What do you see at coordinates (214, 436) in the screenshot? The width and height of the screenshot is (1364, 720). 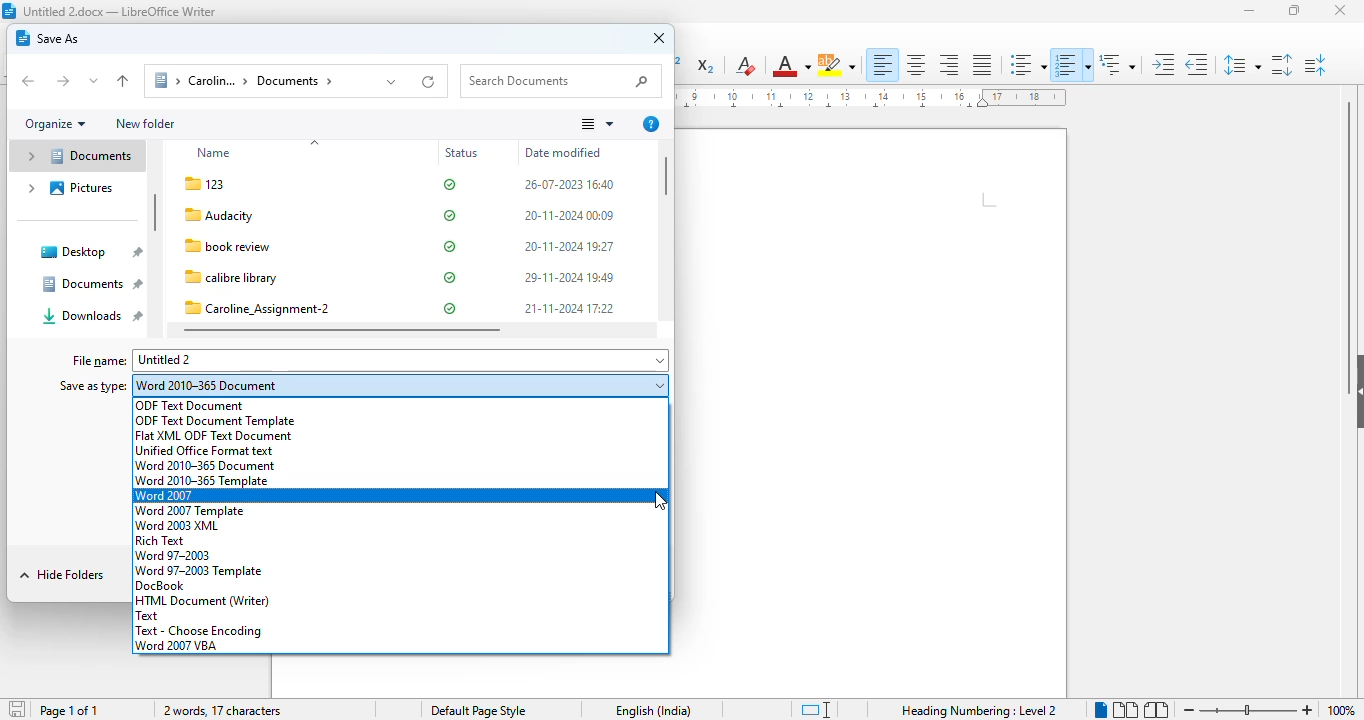 I see `flat XML ODF text document` at bounding box center [214, 436].